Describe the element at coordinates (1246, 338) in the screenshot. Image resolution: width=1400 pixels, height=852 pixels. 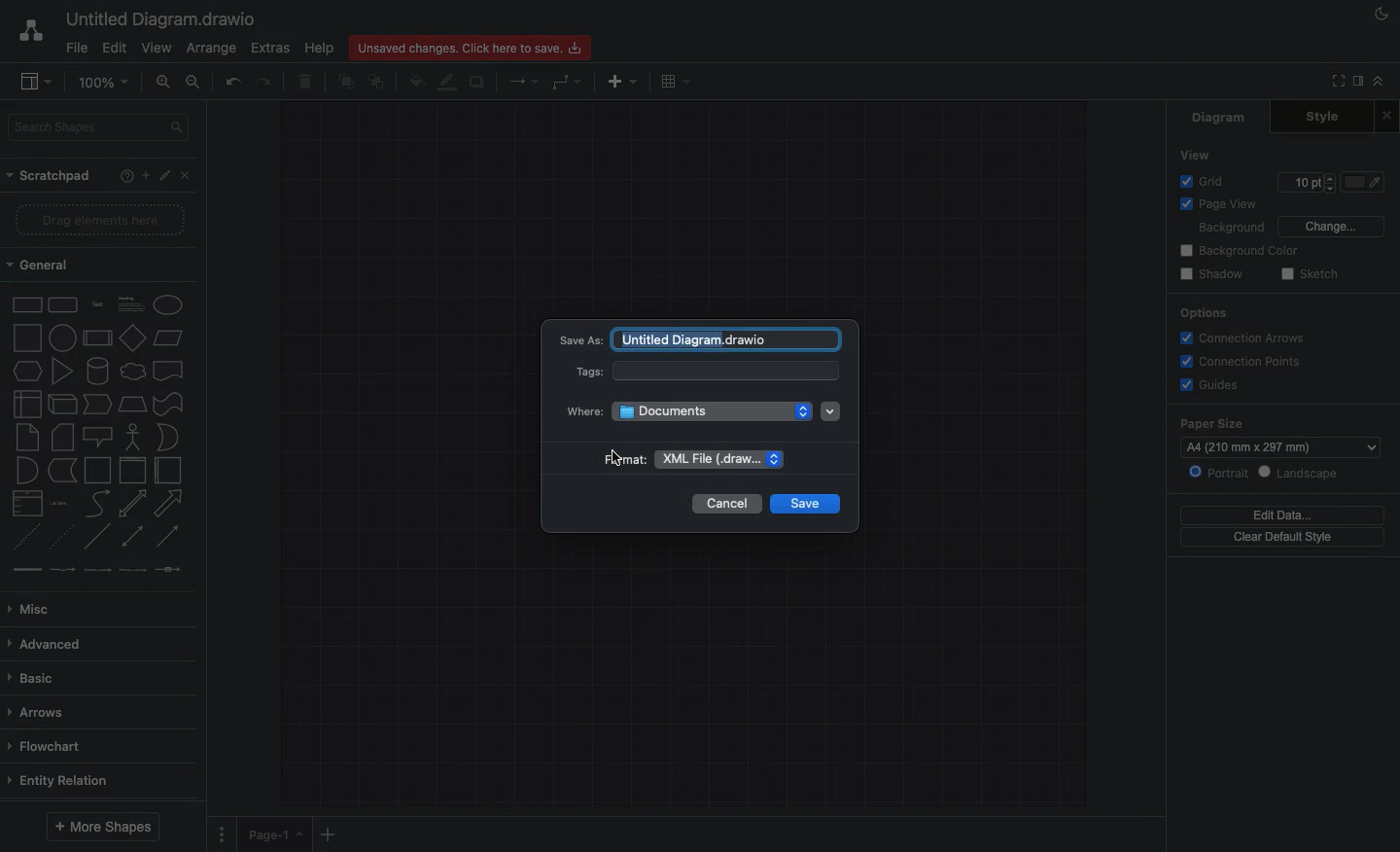
I see `Connection arrows` at that location.